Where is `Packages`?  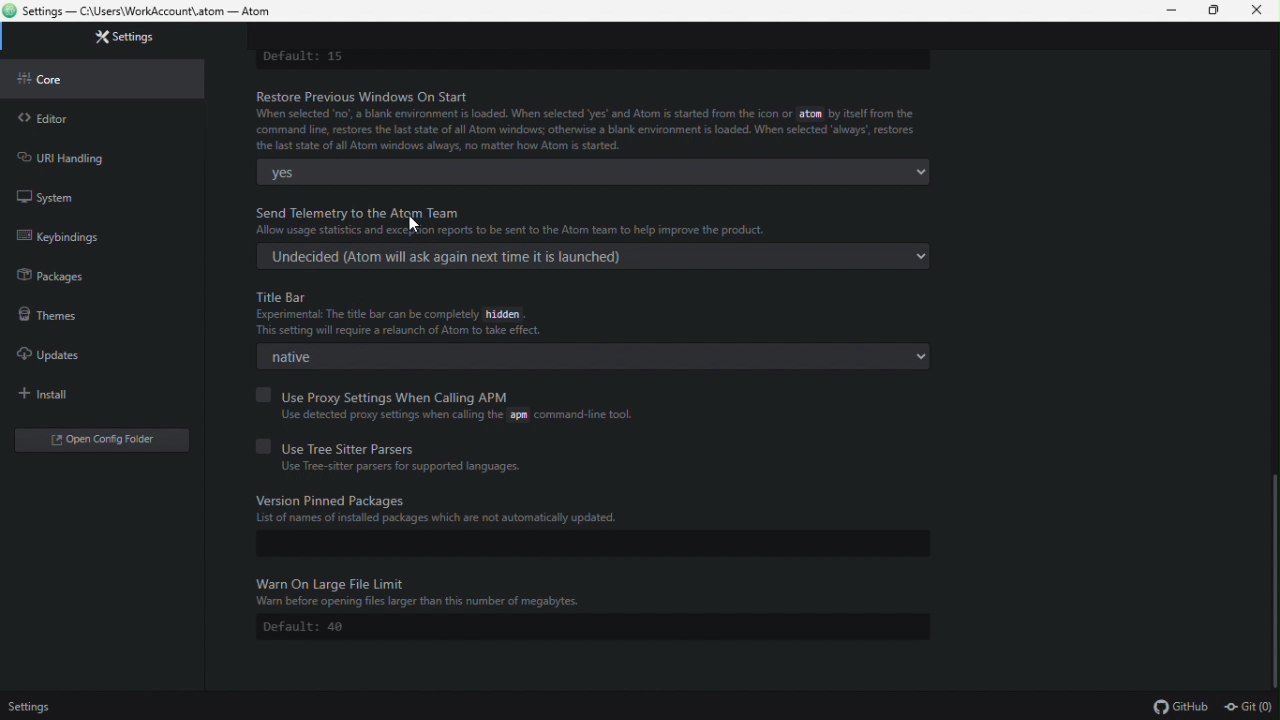 Packages is located at coordinates (52, 280).